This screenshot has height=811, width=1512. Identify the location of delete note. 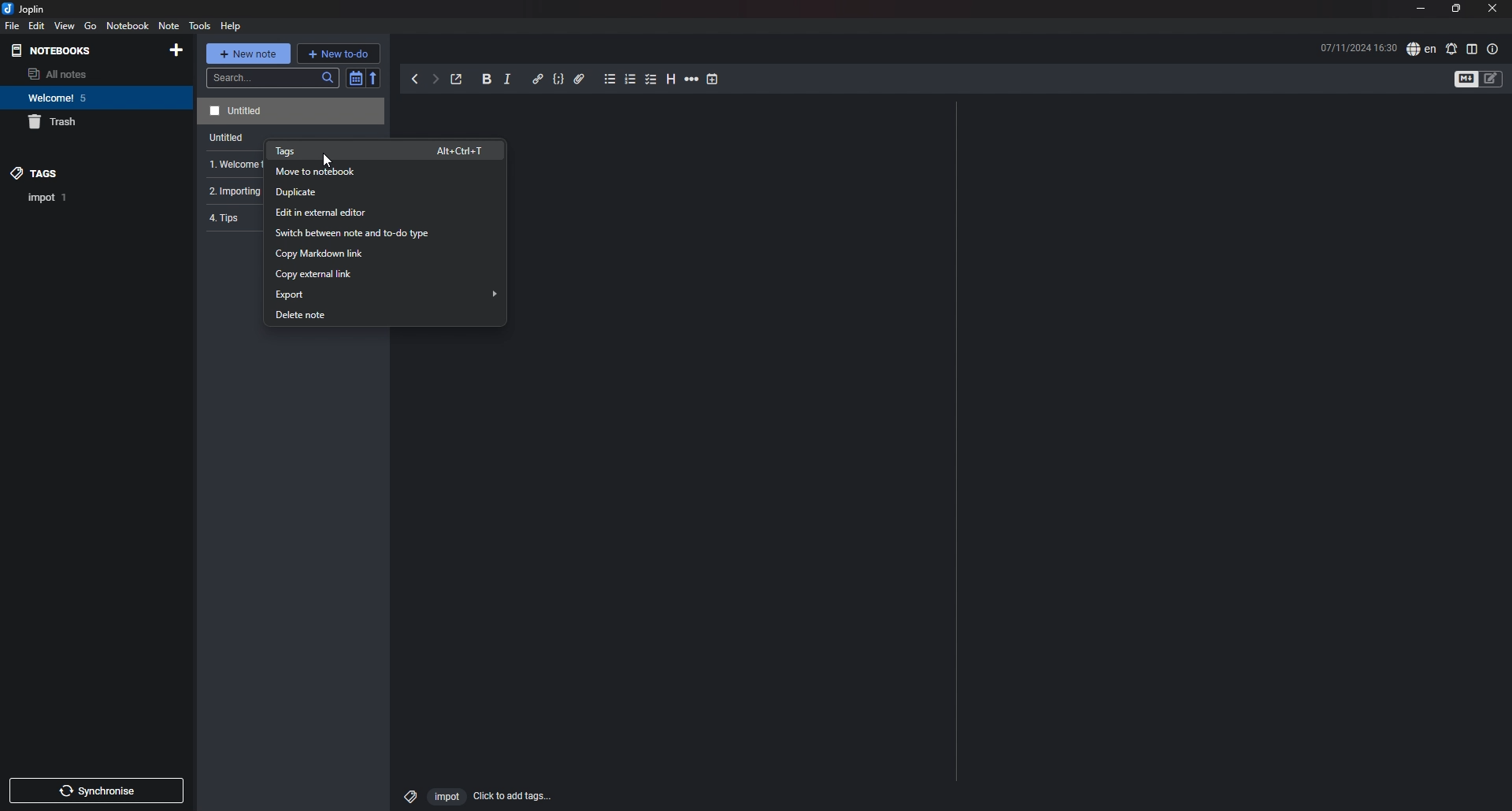
(382, 316).